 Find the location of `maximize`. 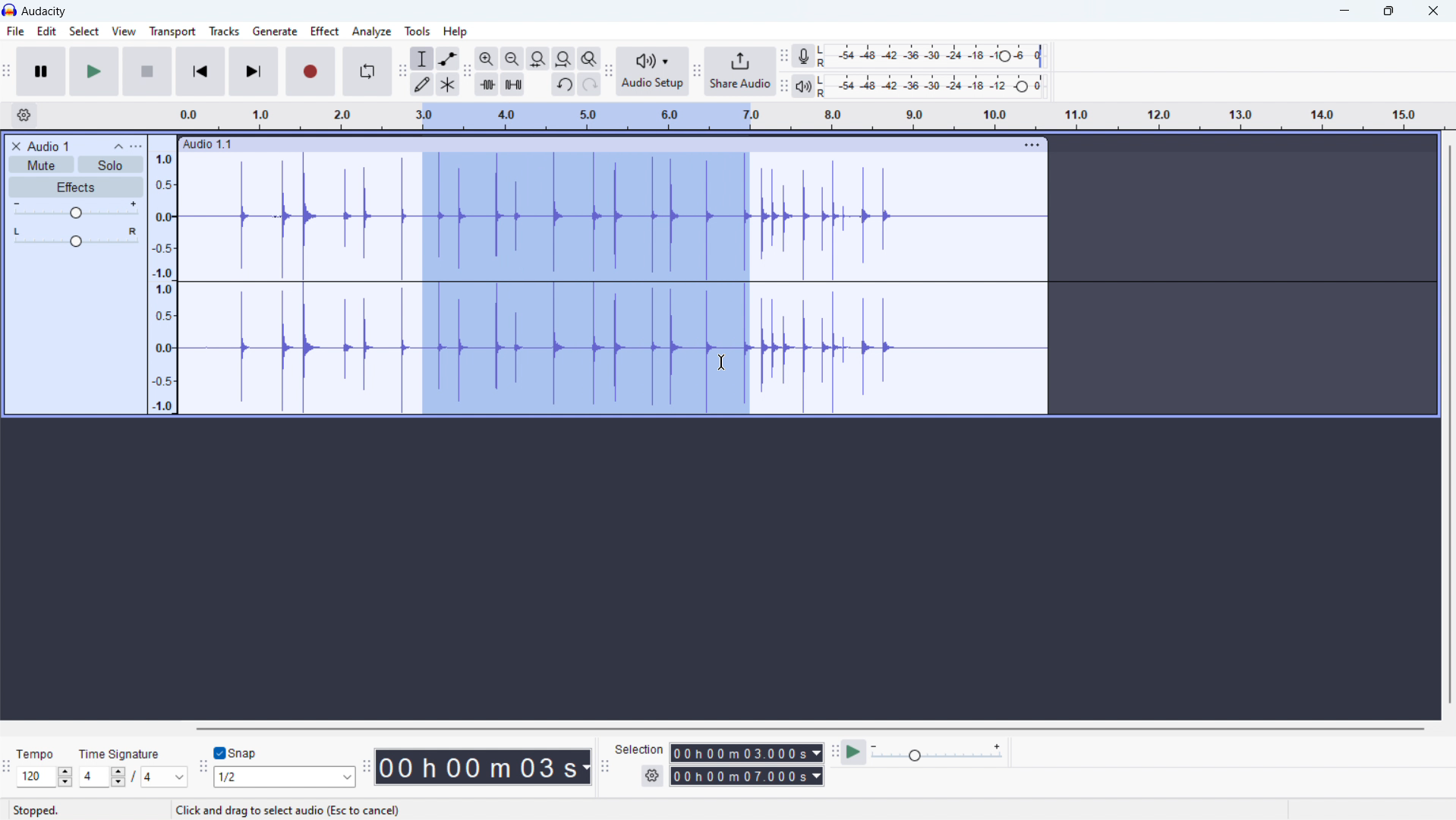

maximize is located at coordinates (1387, 11).